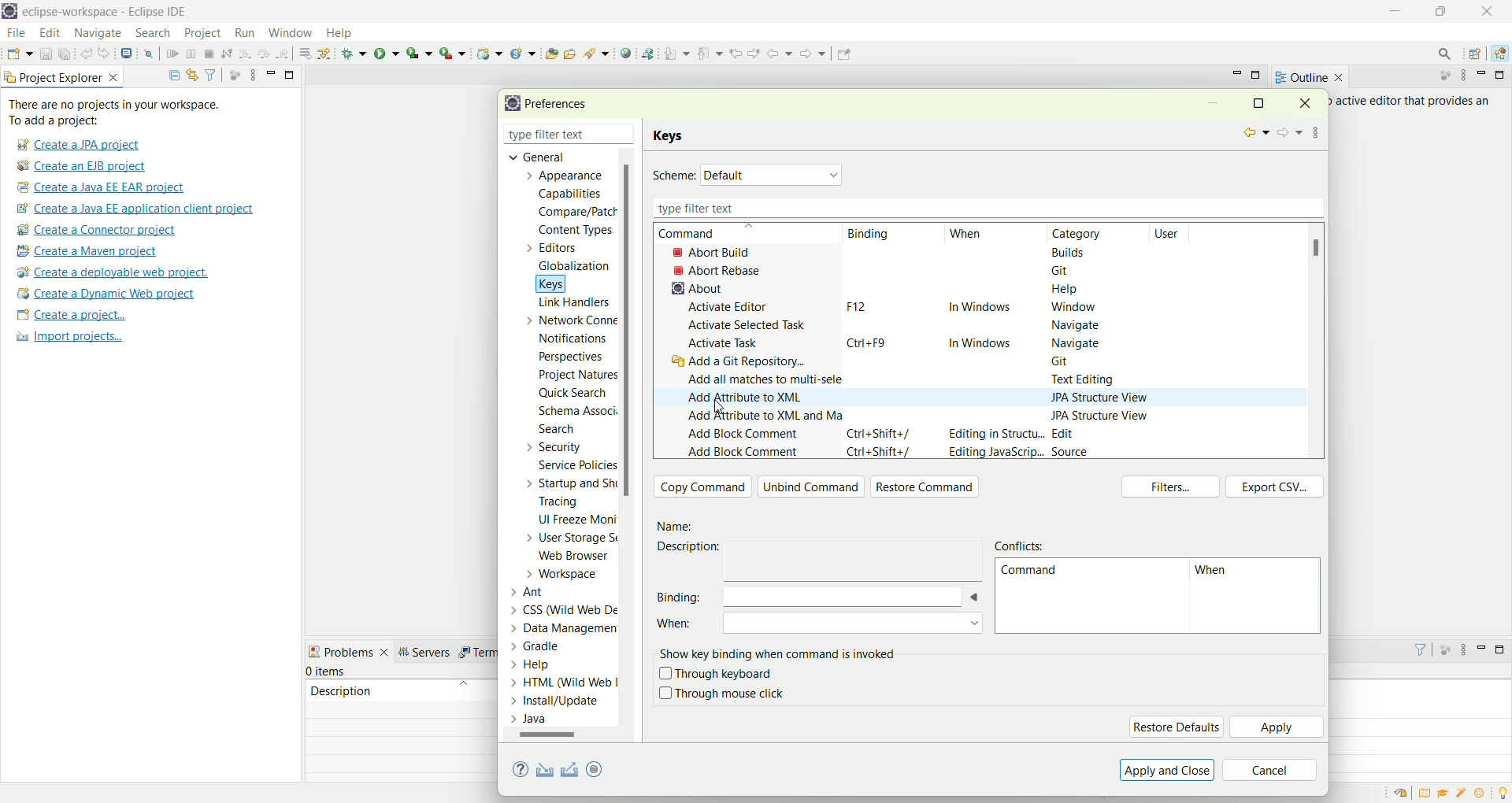 The height and width of the screenshot is (803, 1512). What do you see at coordinates (243, 32) in the screenshot?
I see `run` at bounding box center [243, 32].